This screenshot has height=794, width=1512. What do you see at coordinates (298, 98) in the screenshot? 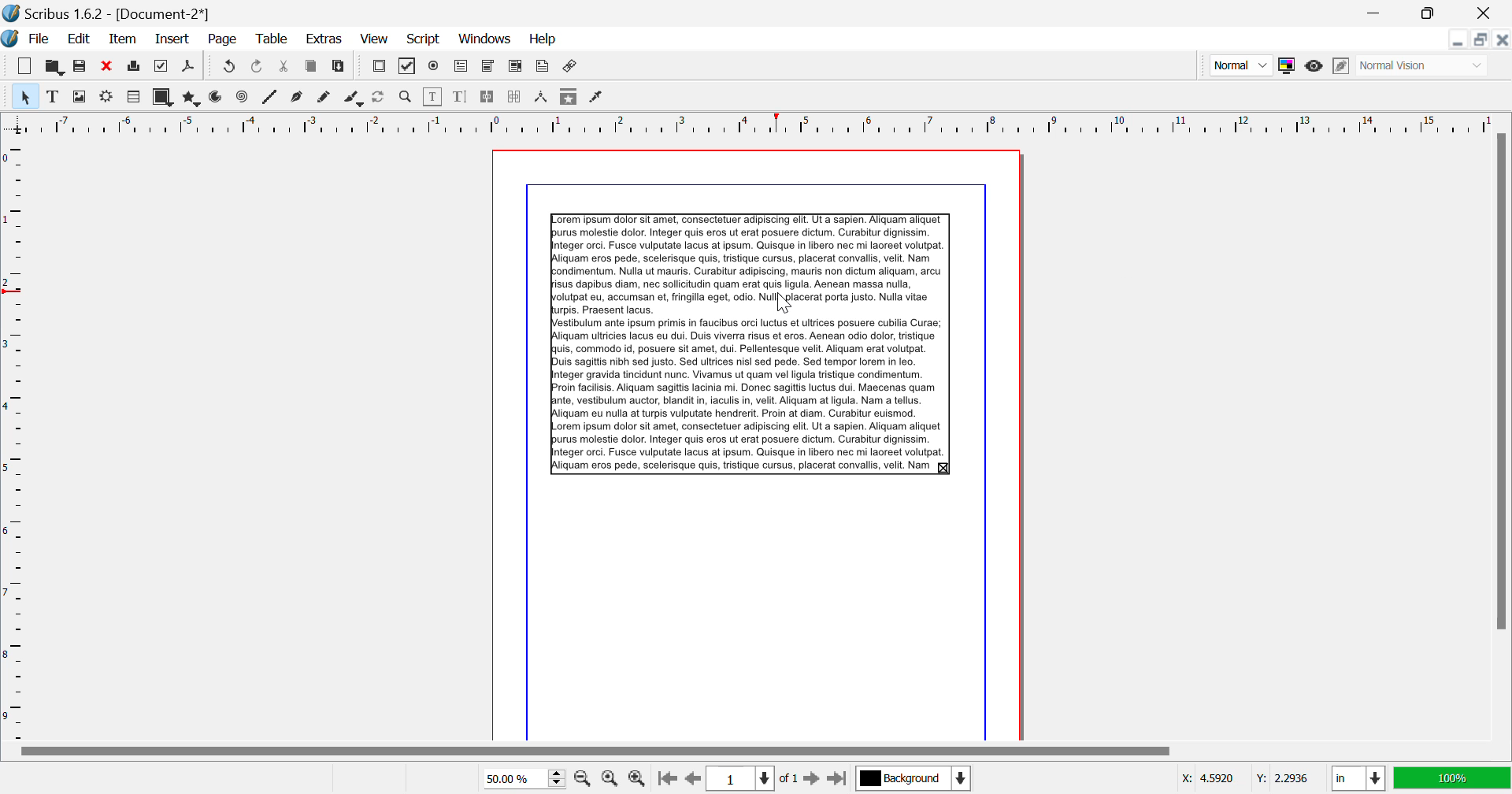
I see `Bezier Curve` at bounding box center [298, 98].